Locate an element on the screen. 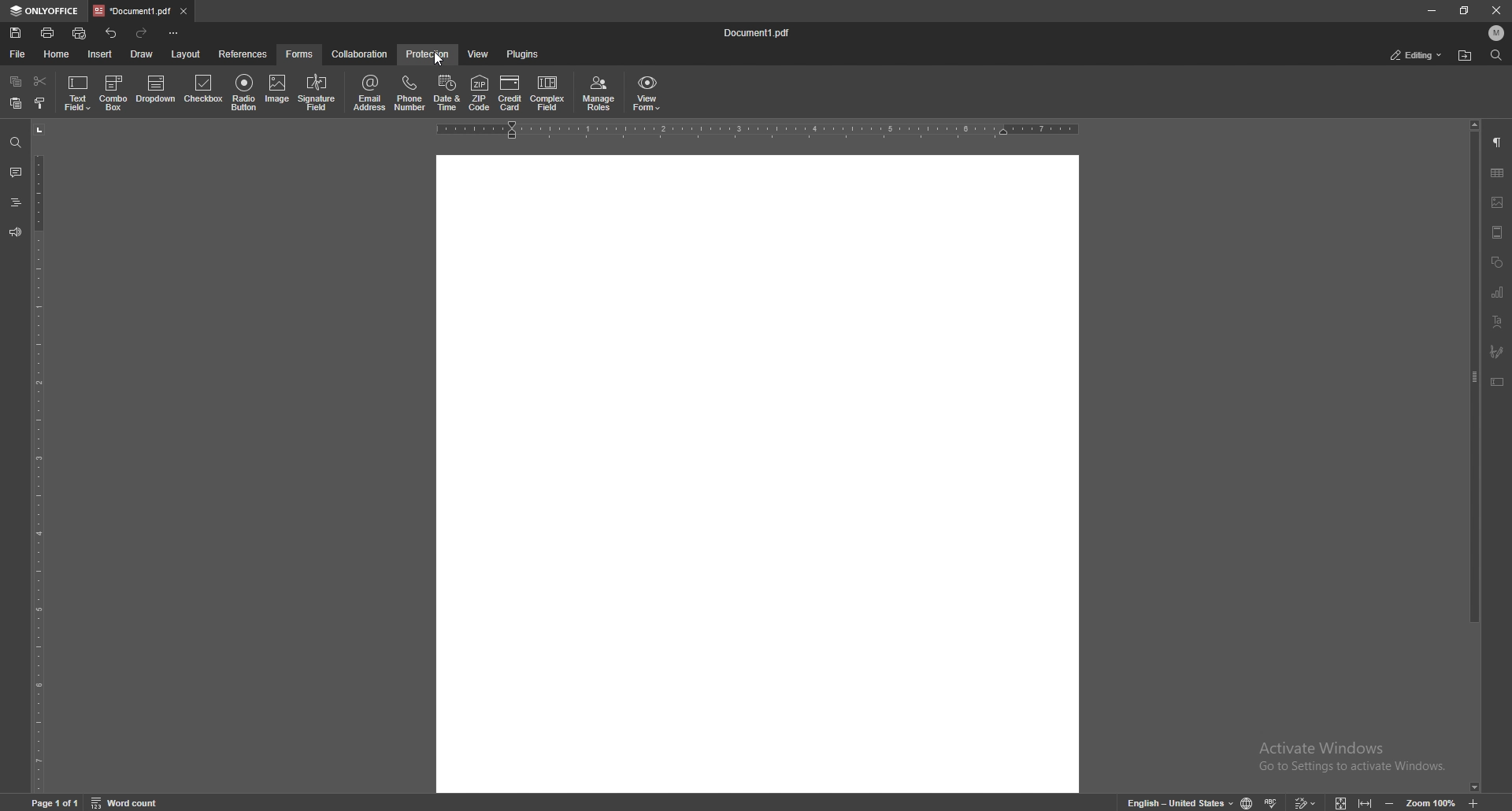 The image size is (1512, 811). file is located at coordinates (19, 54).